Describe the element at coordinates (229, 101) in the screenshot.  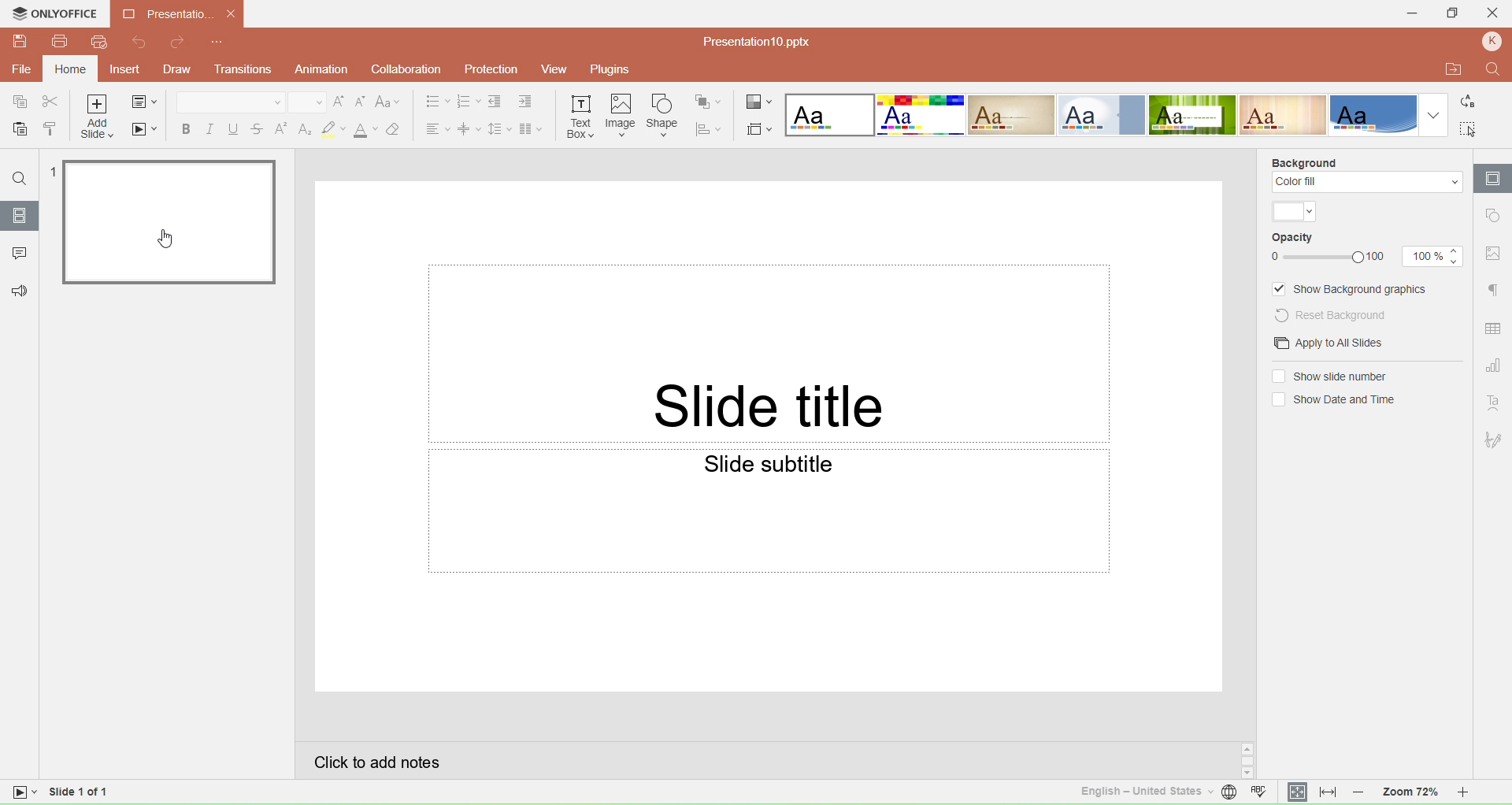
I see `Font` at that location.